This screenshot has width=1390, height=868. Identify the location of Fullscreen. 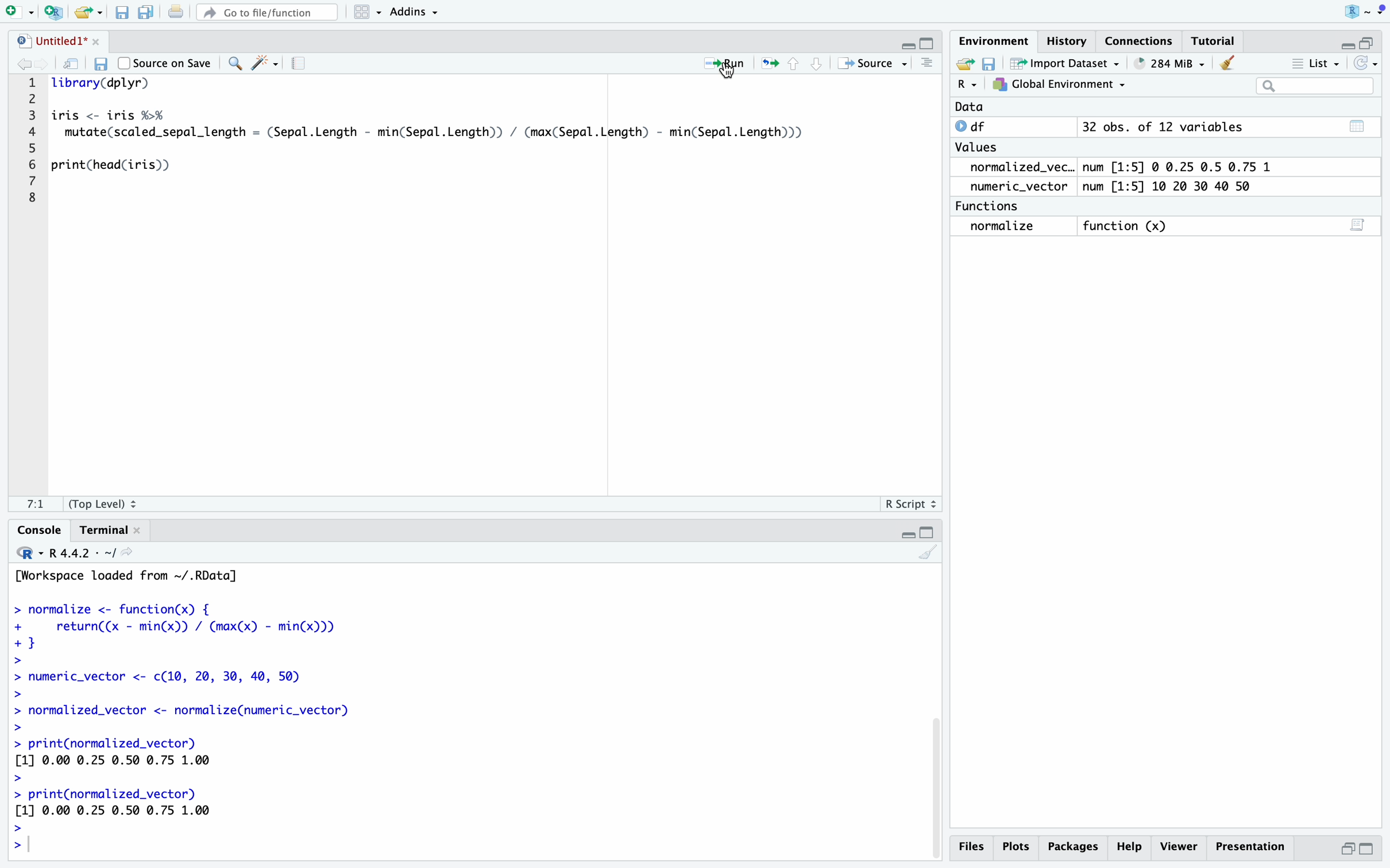
(914, 533).